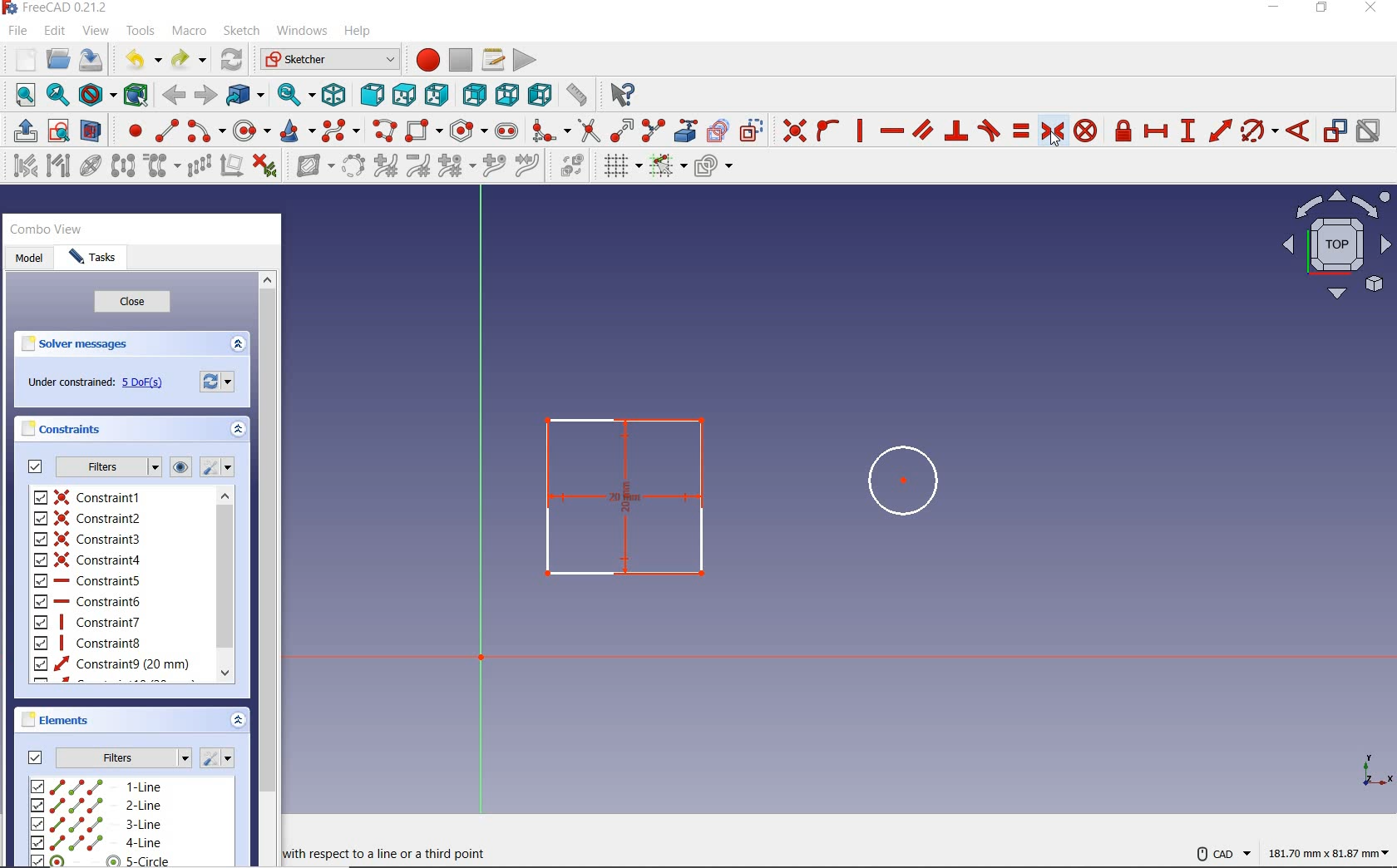  Describe the element at coordinates (343, 130) in the screenshot. I see `create B-spline` at that location.